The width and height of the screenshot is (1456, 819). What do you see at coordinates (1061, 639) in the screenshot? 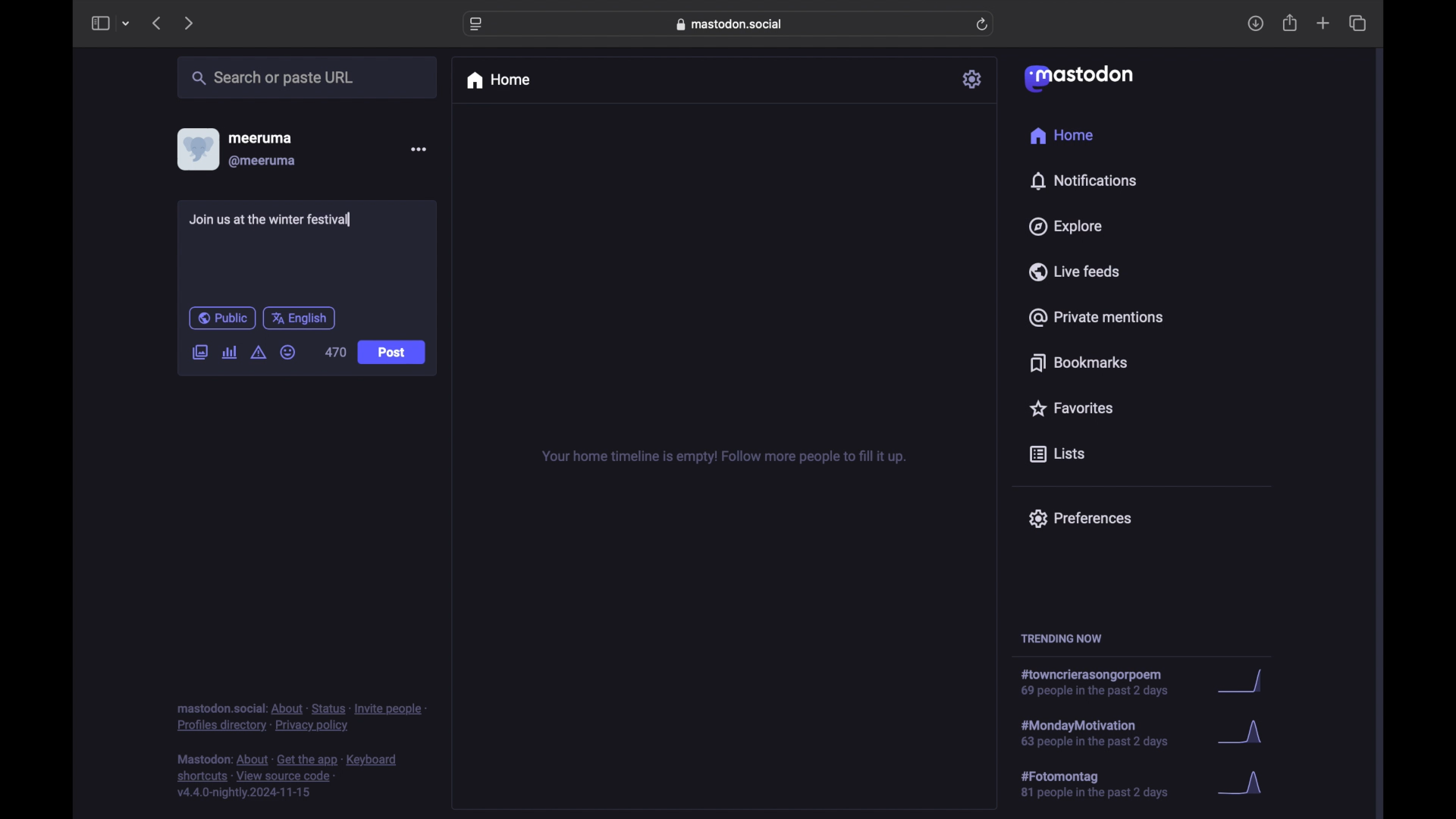
I see `trending now` at bounding box center [1061, 639].